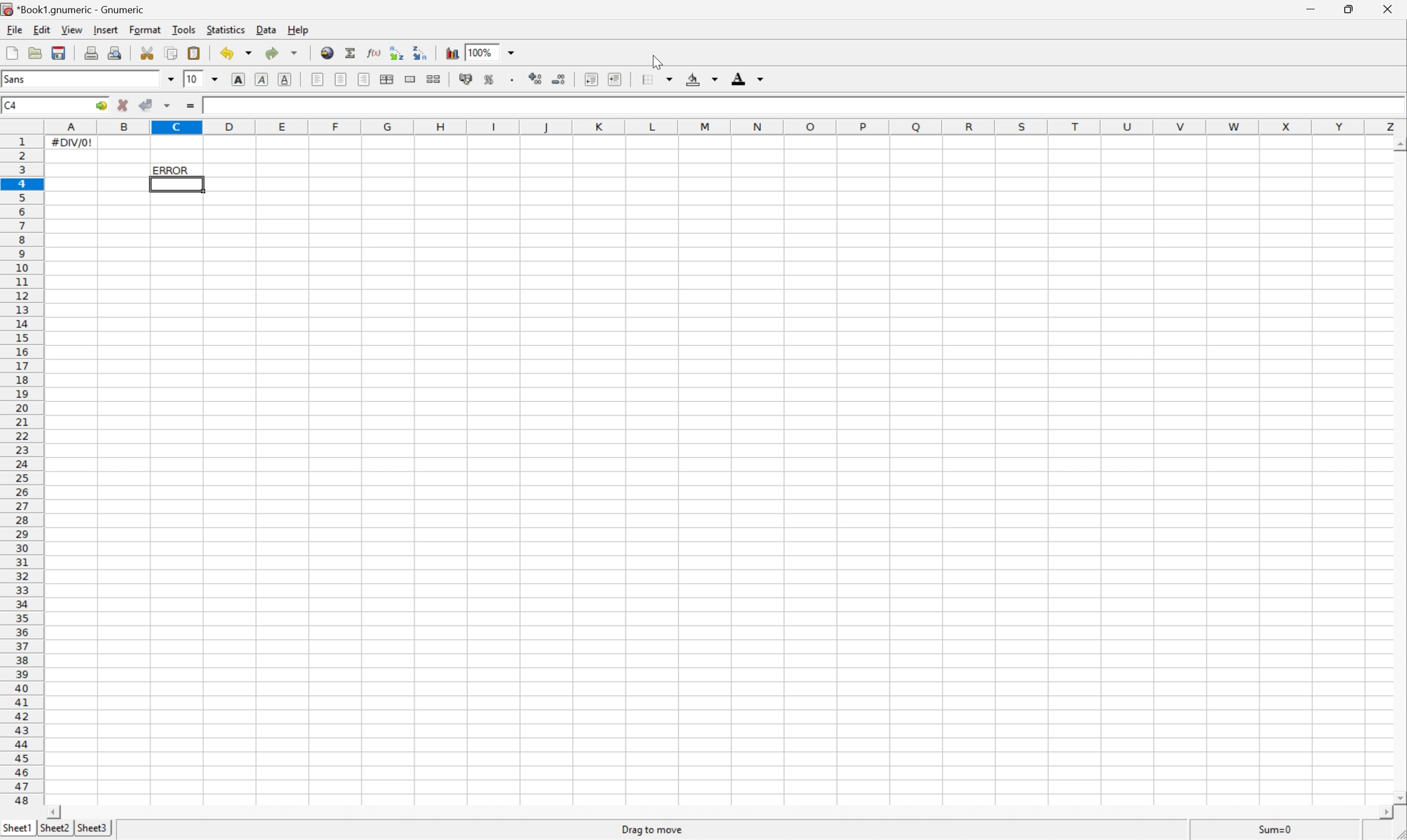 This screenshot has width=1407, height=840. Describe the element at coordinates (653, 829) in the screenshot. I see `Drag to move` at that location.